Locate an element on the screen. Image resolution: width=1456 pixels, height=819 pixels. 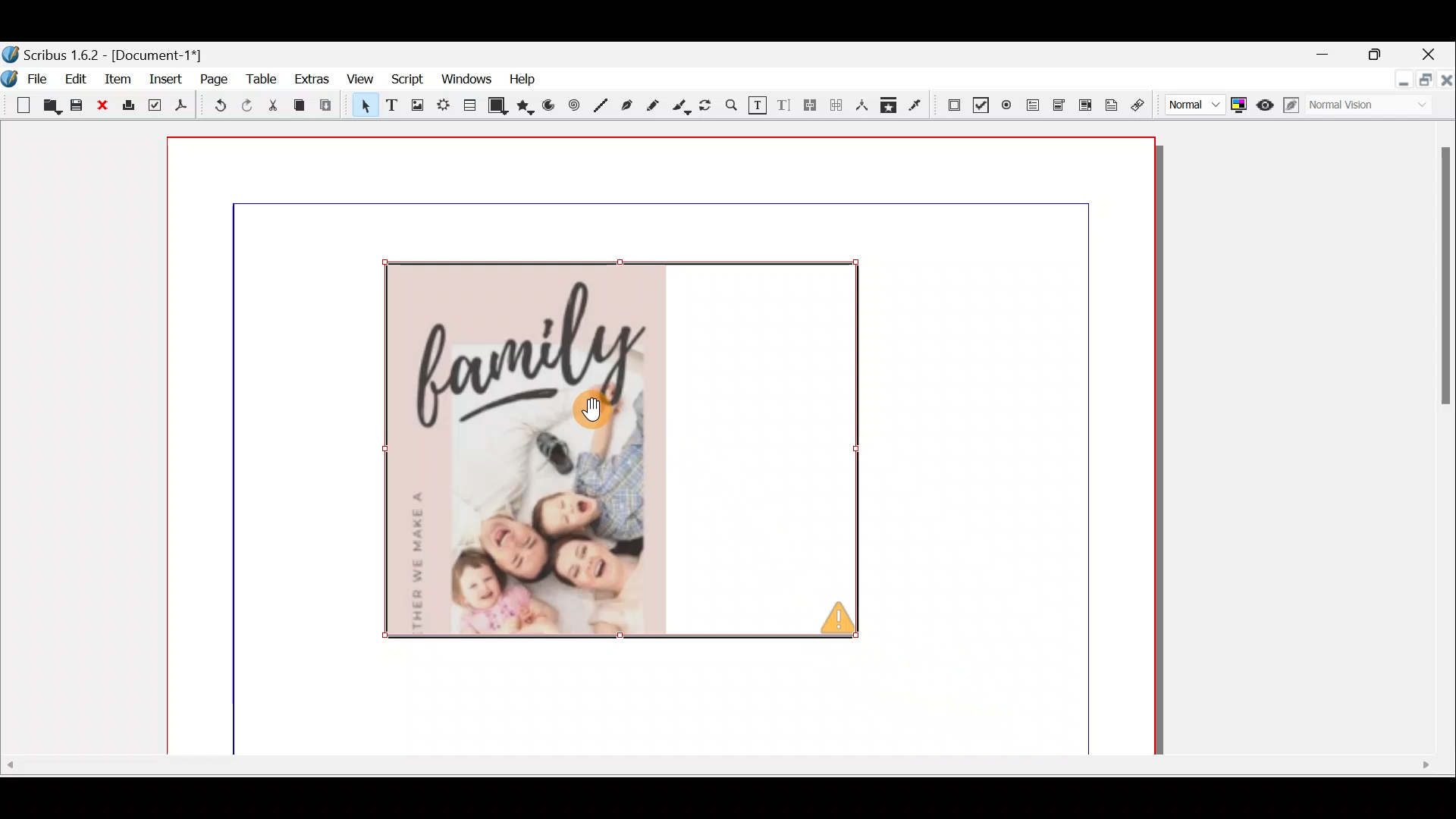
Document name is located at coordinates (110, 50).